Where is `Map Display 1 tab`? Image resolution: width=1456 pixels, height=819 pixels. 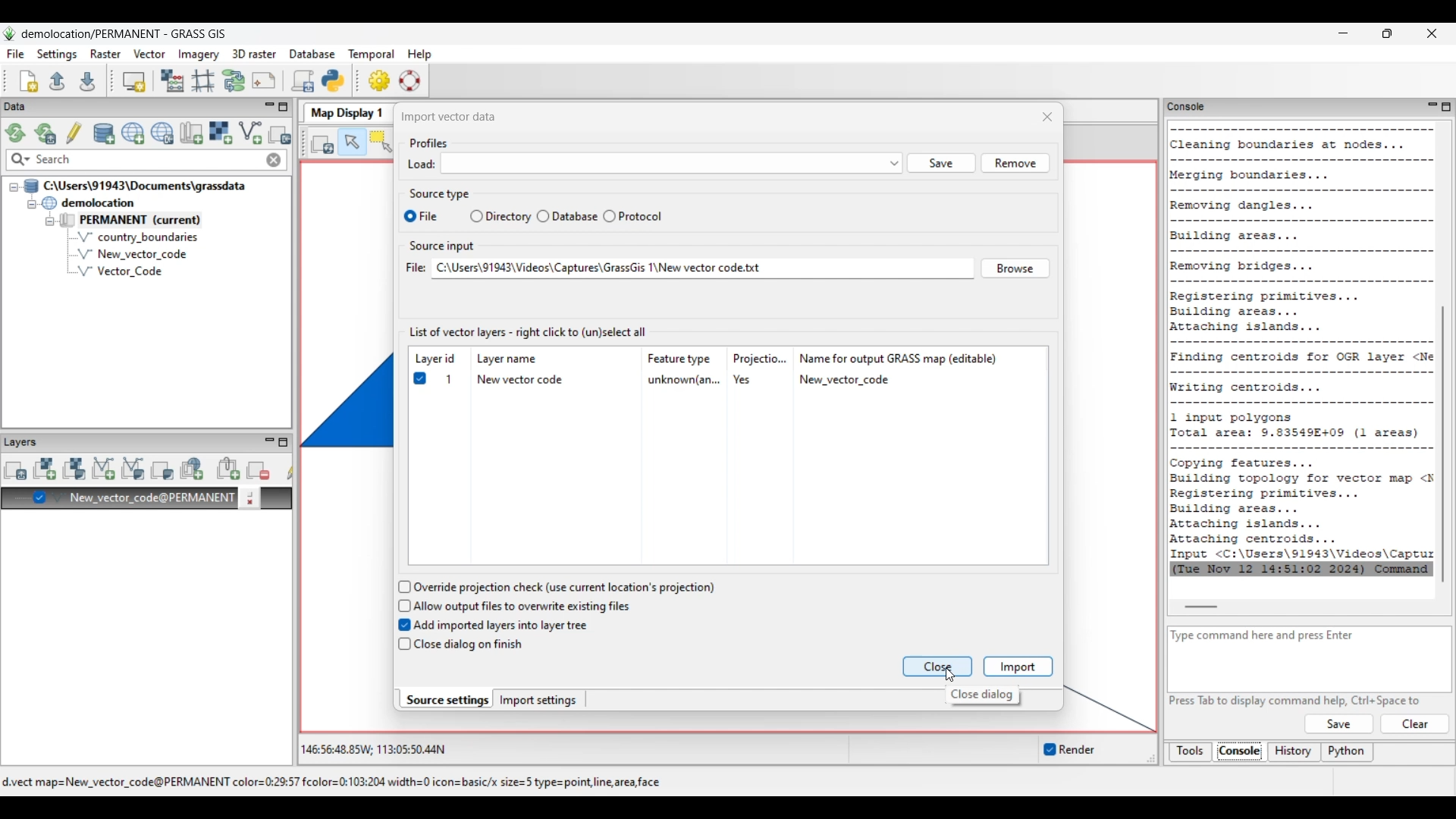 Map Display 1 tab is located at coordinates (345, 111).